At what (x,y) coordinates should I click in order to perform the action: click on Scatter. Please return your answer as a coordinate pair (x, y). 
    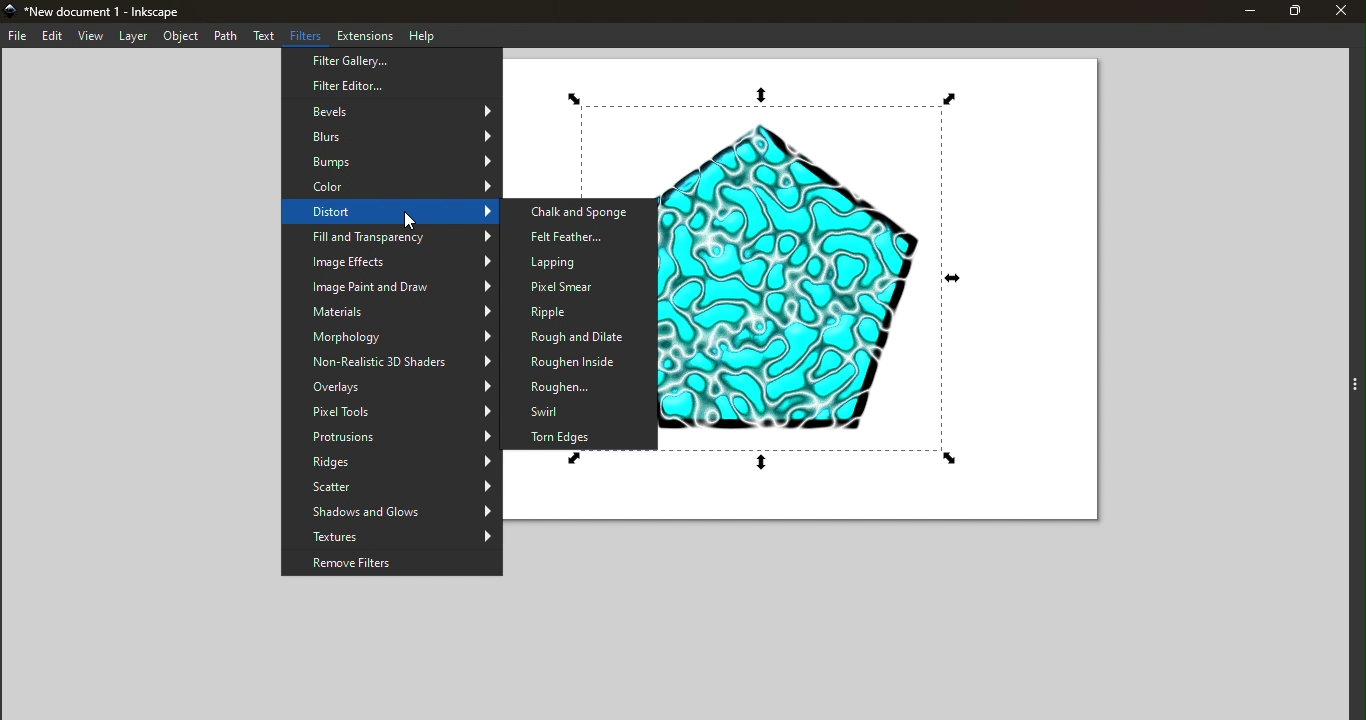
    Looking at the image, I should click on (391, 486).